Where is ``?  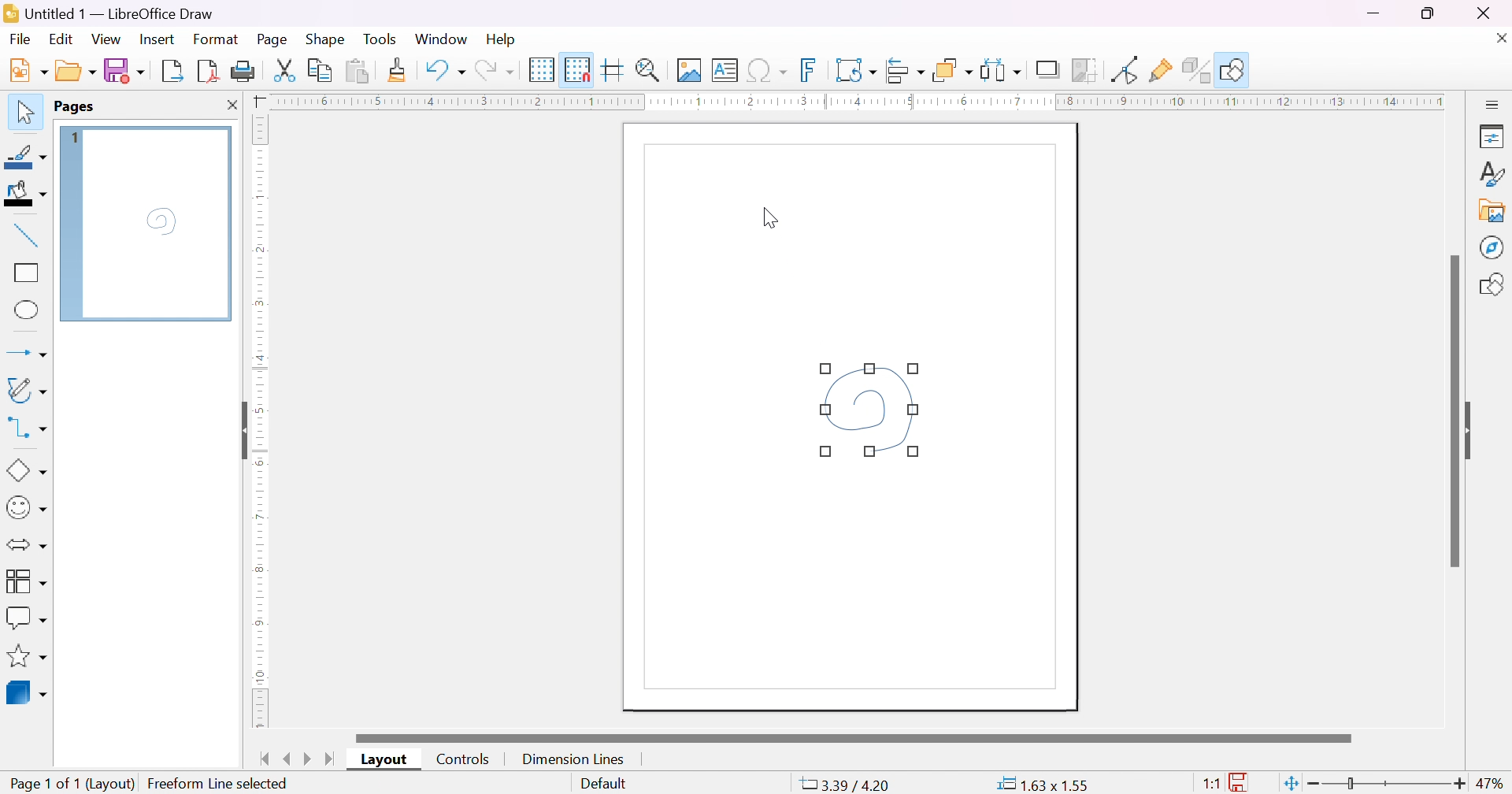
 is located at coordinates (21, 39).